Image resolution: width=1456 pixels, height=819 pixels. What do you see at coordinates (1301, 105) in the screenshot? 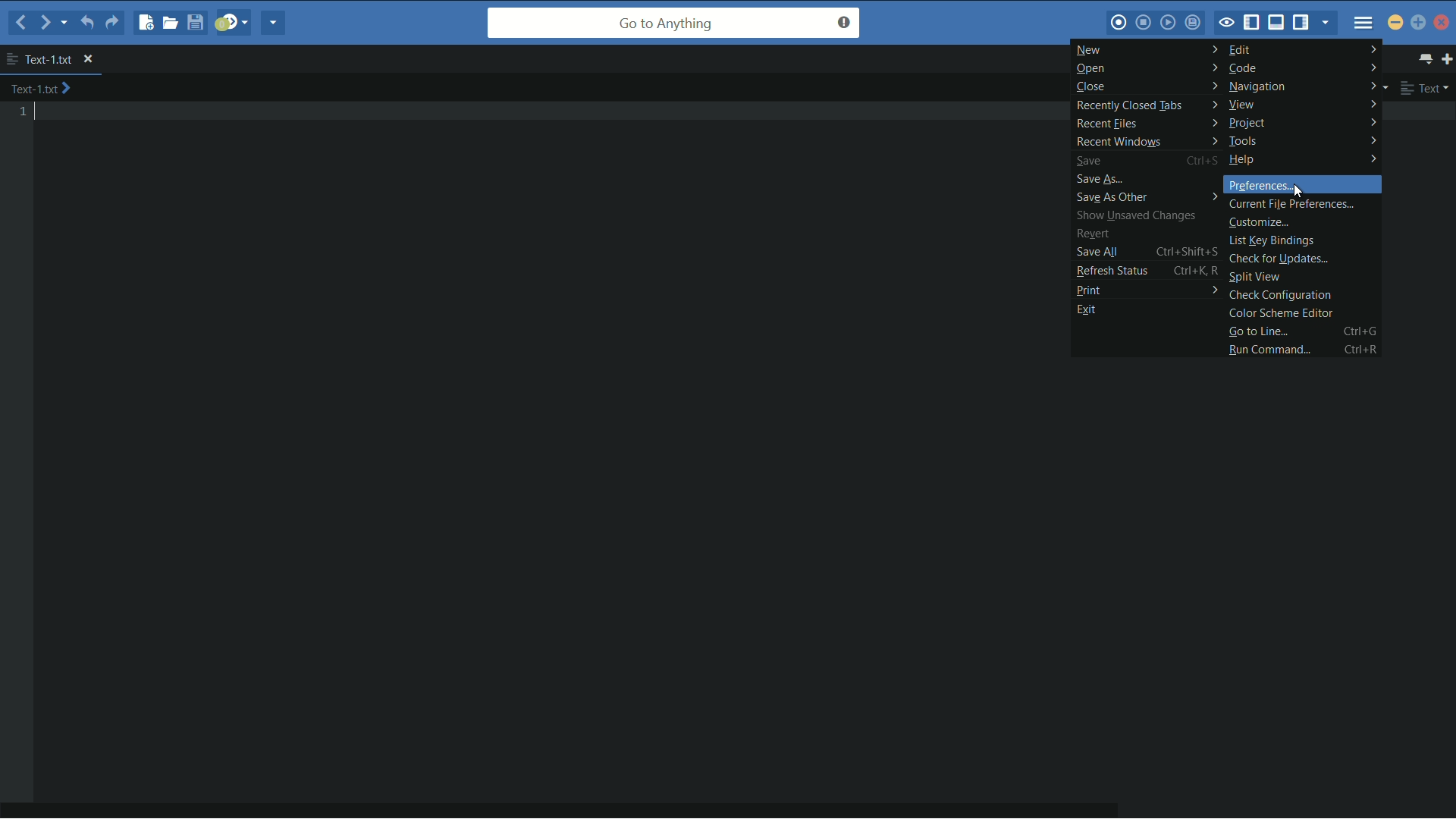
I see `view` at bounding box center [1301, 105].